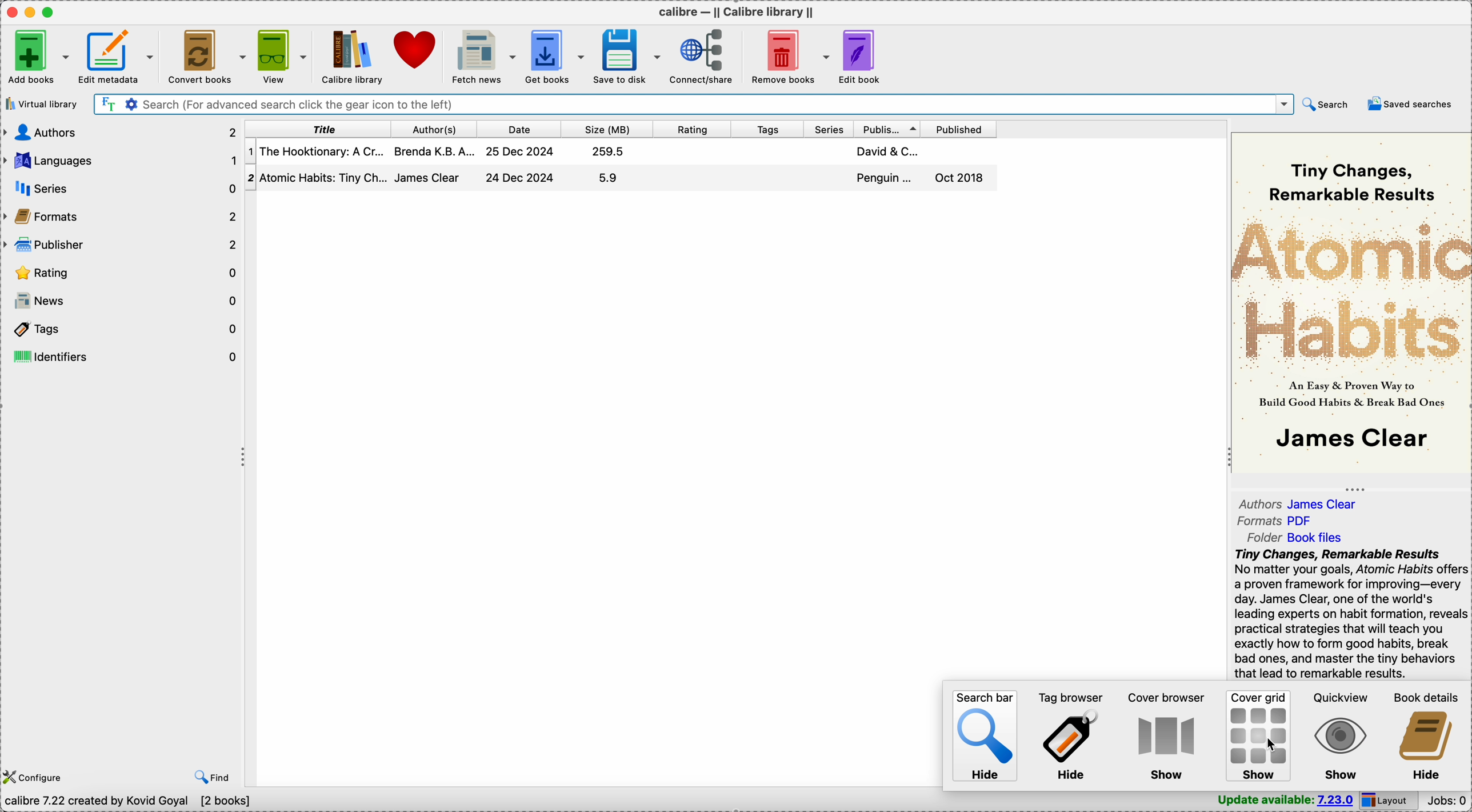  Describe the element at coordinates (122, 247) in the screenshot. I see `publisher` at that location.